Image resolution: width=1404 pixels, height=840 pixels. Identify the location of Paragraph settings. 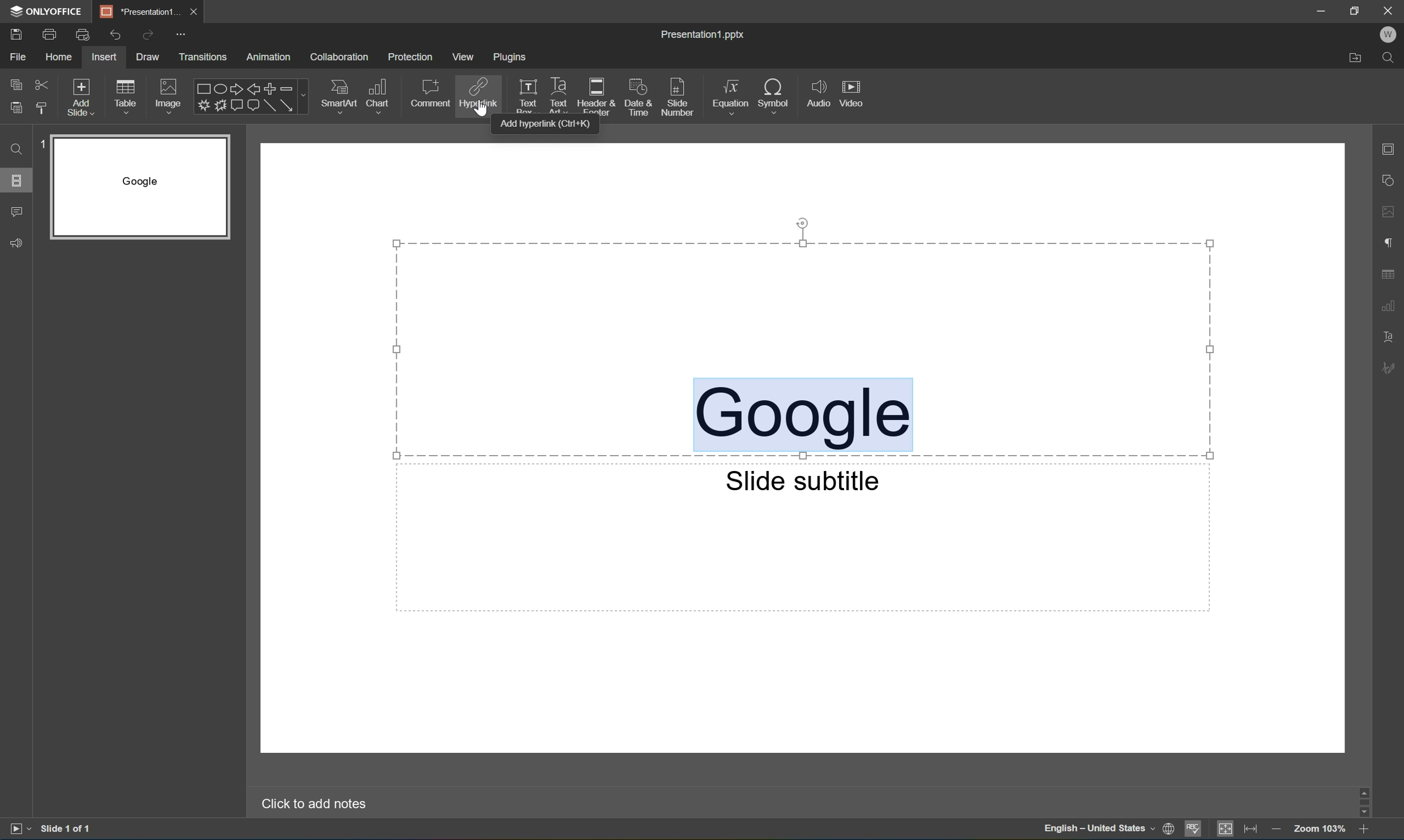
(1387, 244).